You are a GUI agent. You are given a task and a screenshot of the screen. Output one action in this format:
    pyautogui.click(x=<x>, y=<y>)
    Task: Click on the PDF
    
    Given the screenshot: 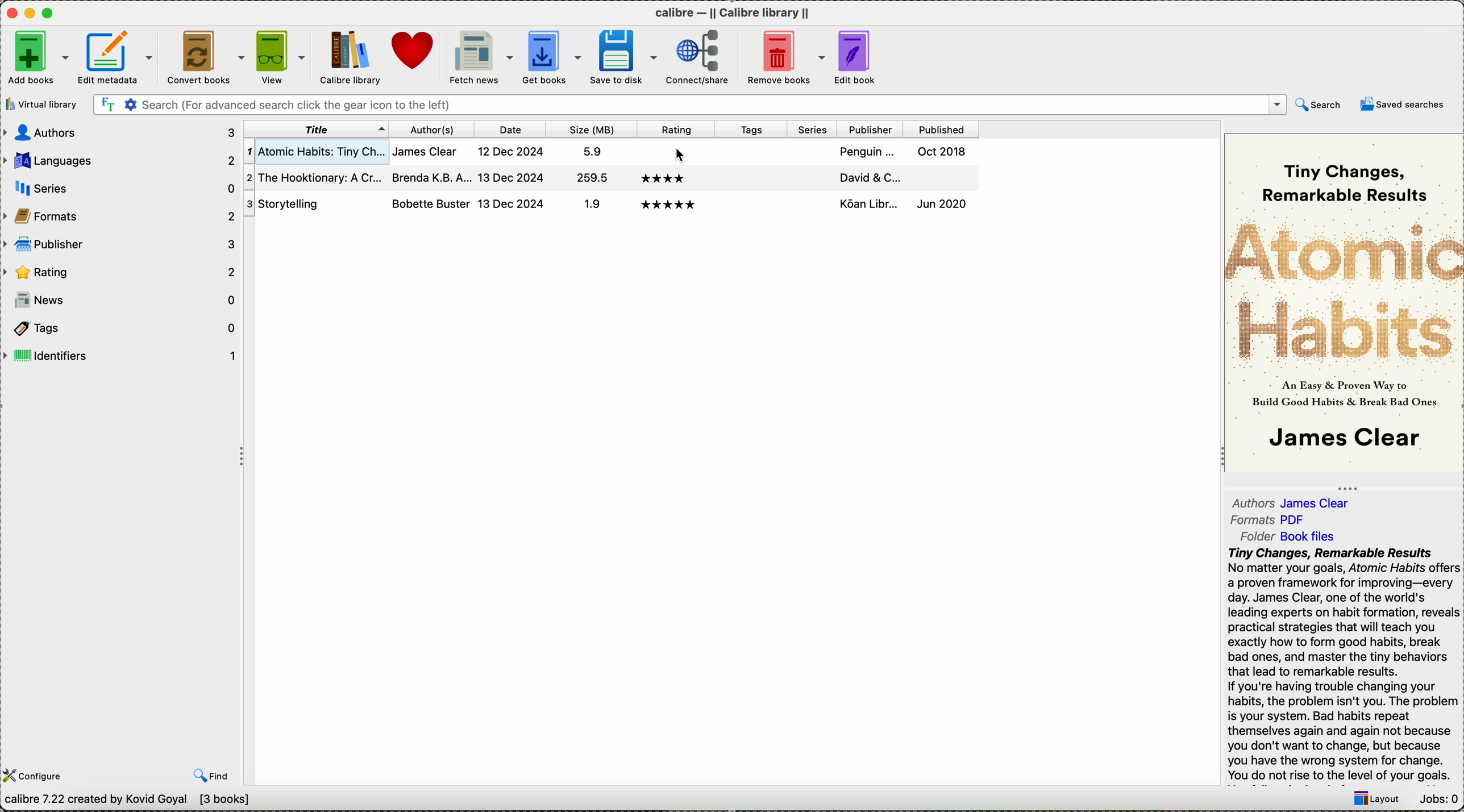 What is the action you would take?
    pyautogui.click(x=1300, y=519)
    